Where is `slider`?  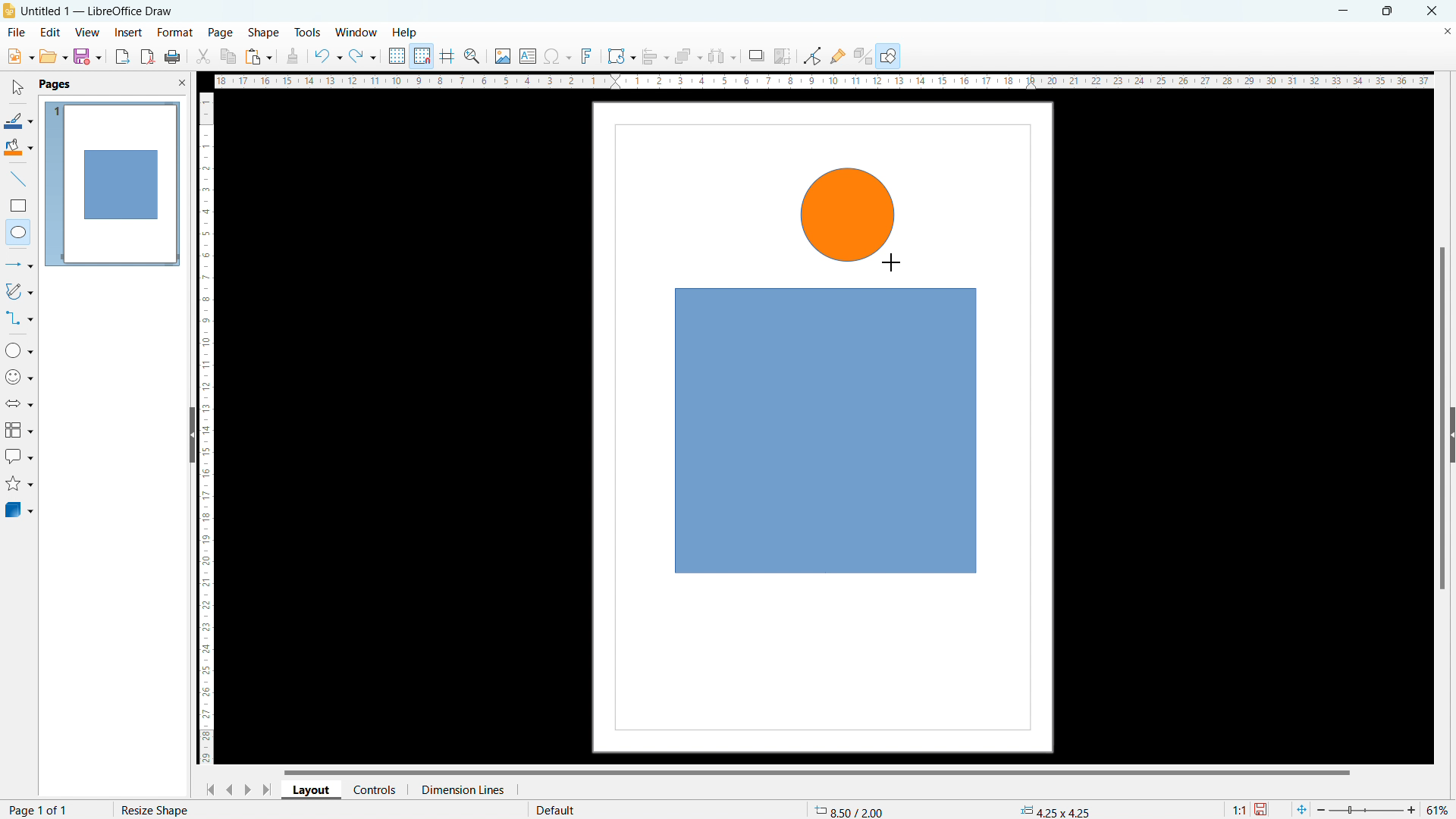 slider is located at coordinates (1365, 810).